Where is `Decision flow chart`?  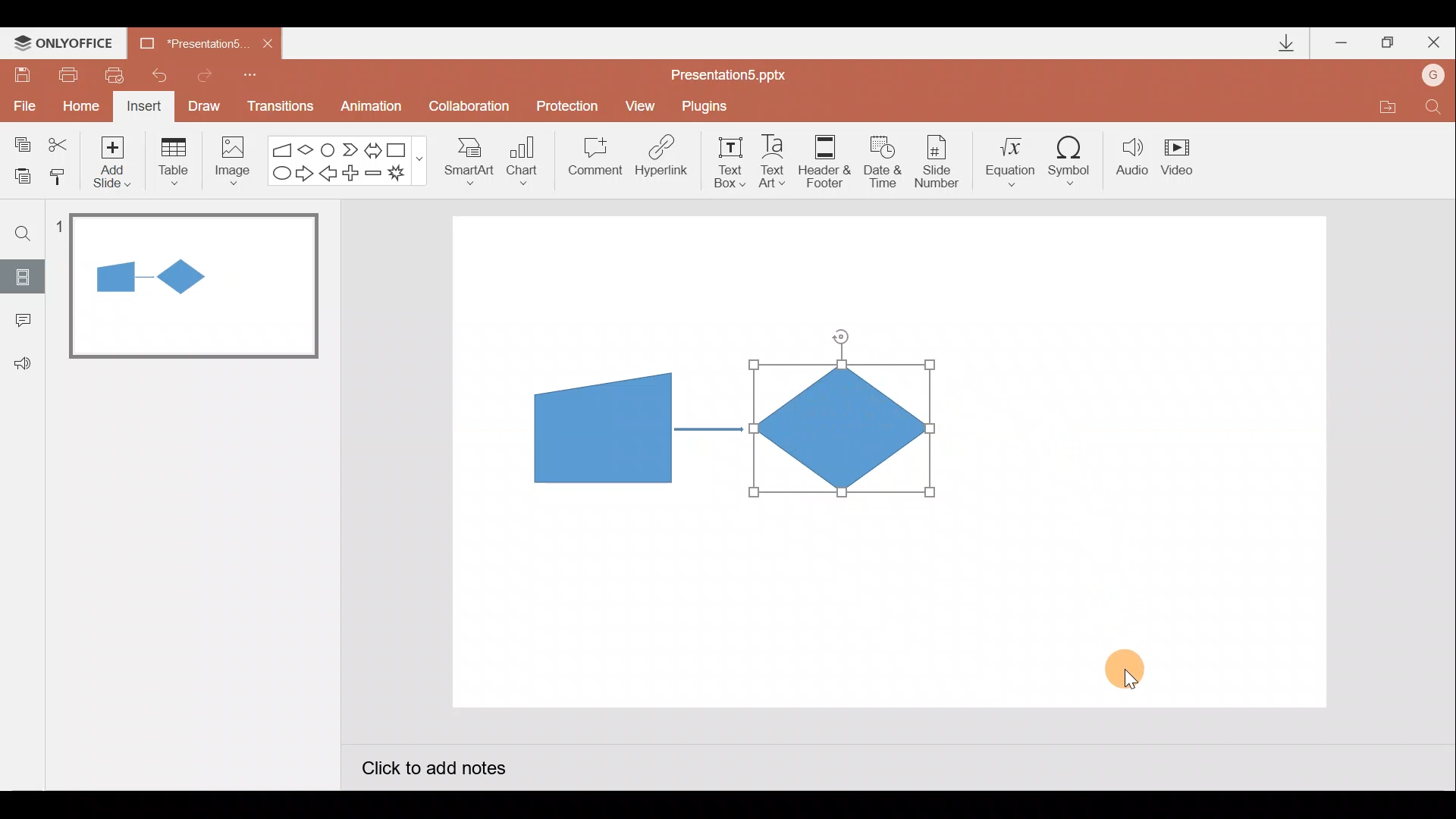 Decision flow chart is located at coordinates (845, 430).